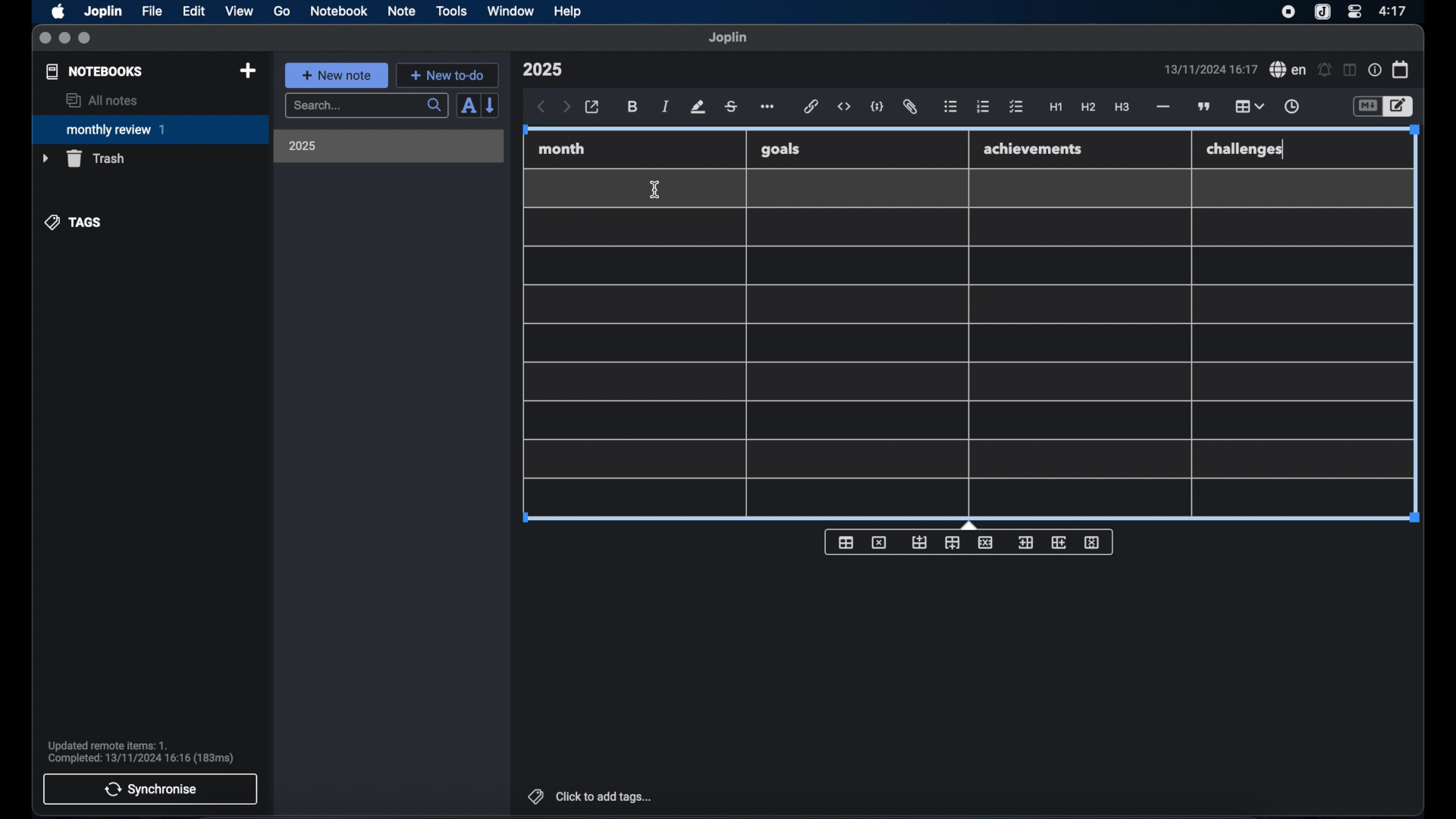 This screenshot has height=819, width=1456. Describe the element at coordinates (366, 107) in the screenshot. I see `search bar` at that location.